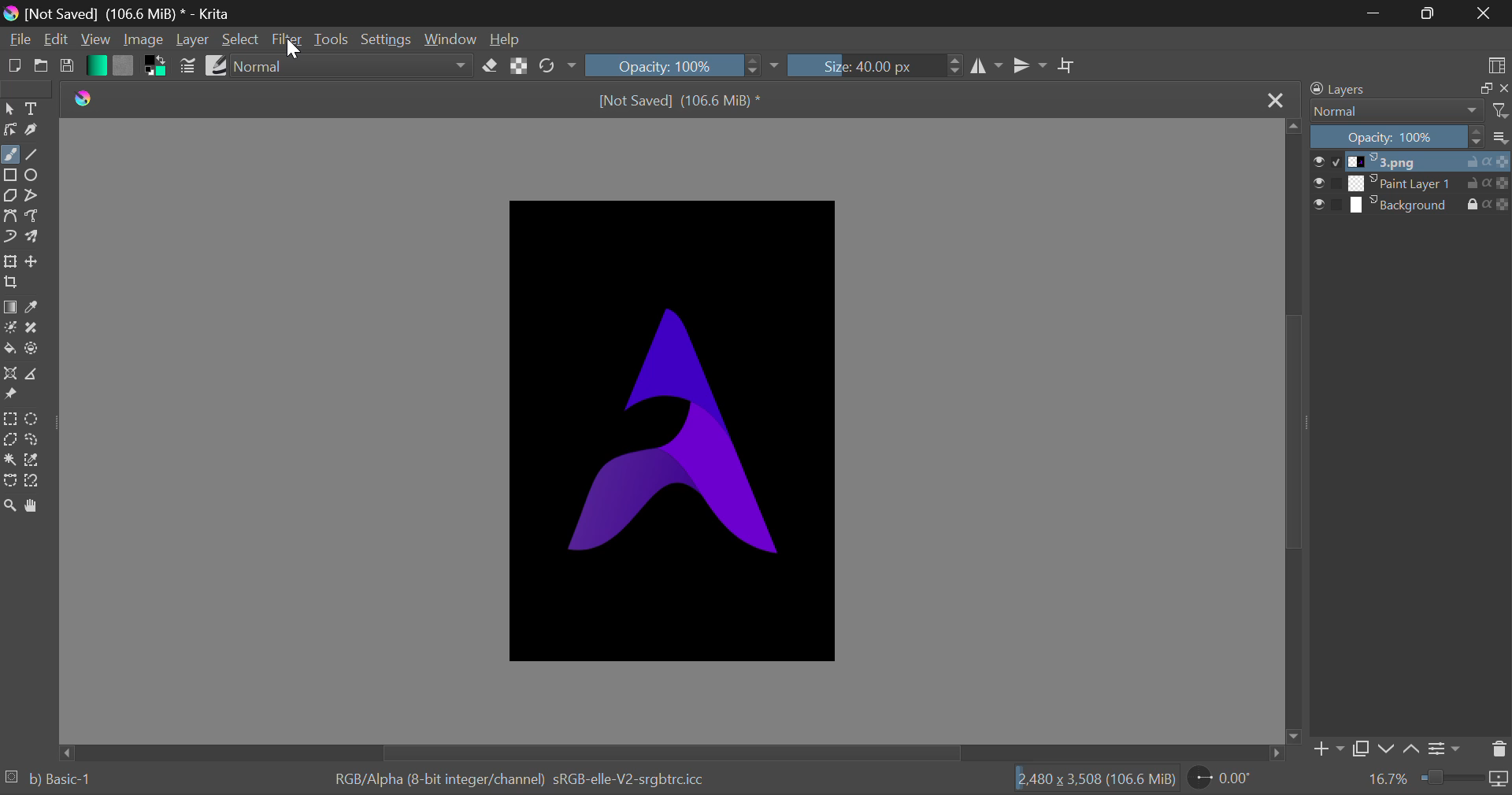 This screenshot has height=795, width=1512. Describe the element at coordinates (1426, 13) in the screenshot. I see `Minimize` at that location.